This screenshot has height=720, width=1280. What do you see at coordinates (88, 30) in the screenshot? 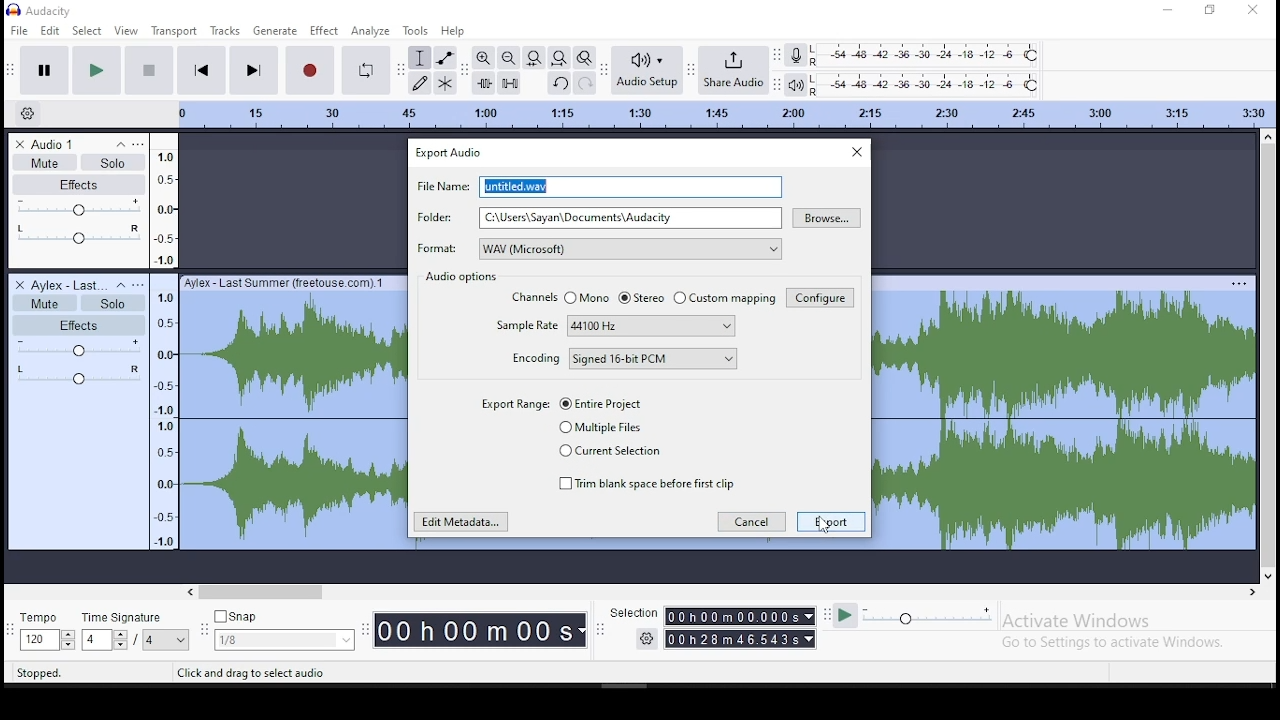
I see `select` at bounding box center [88, 30].